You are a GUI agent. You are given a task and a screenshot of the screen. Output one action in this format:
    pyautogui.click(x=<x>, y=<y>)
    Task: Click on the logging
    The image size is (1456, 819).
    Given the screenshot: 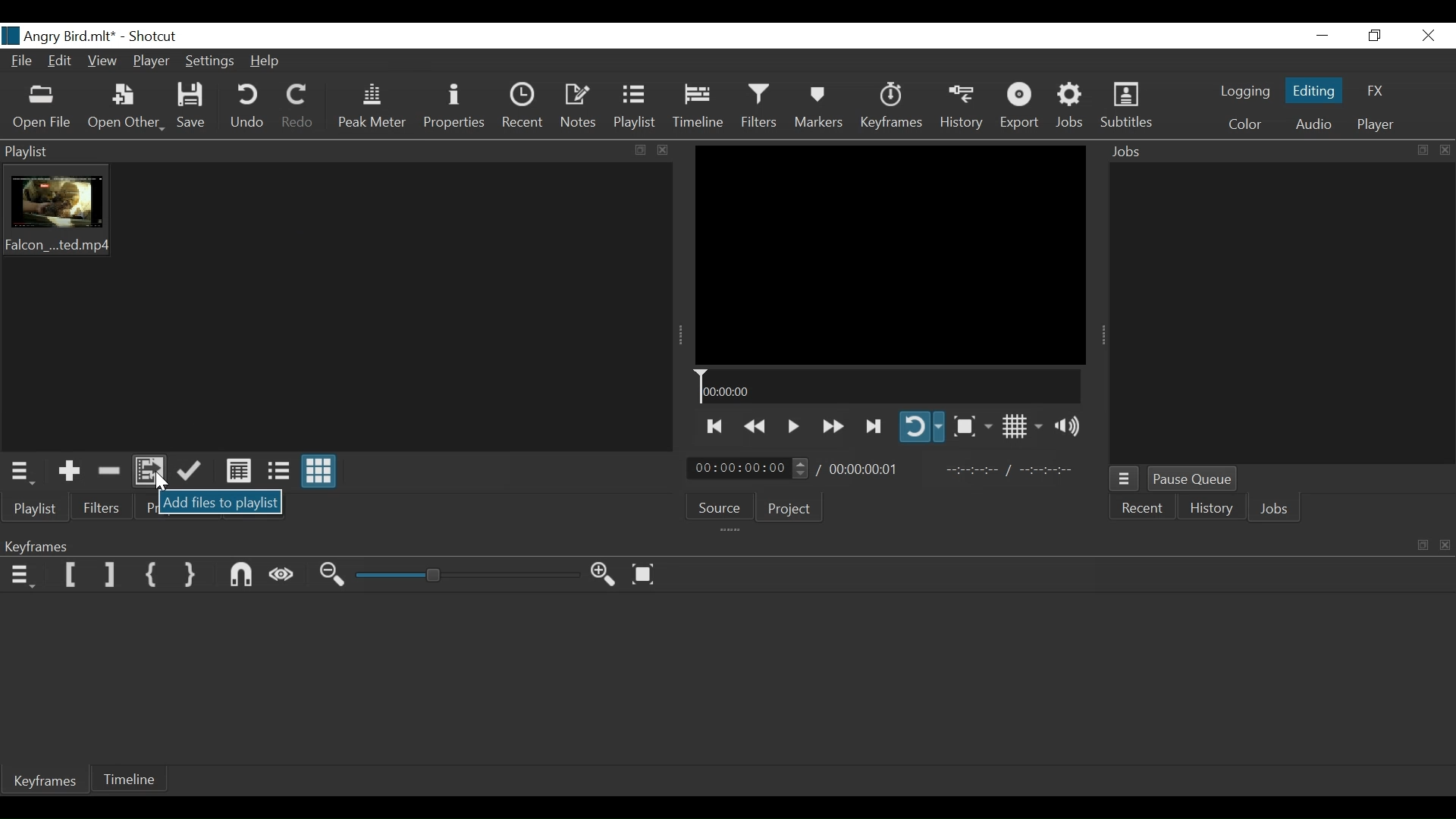 What is the action you would take?
    pyautogui.click(x=1244, y=91)
    